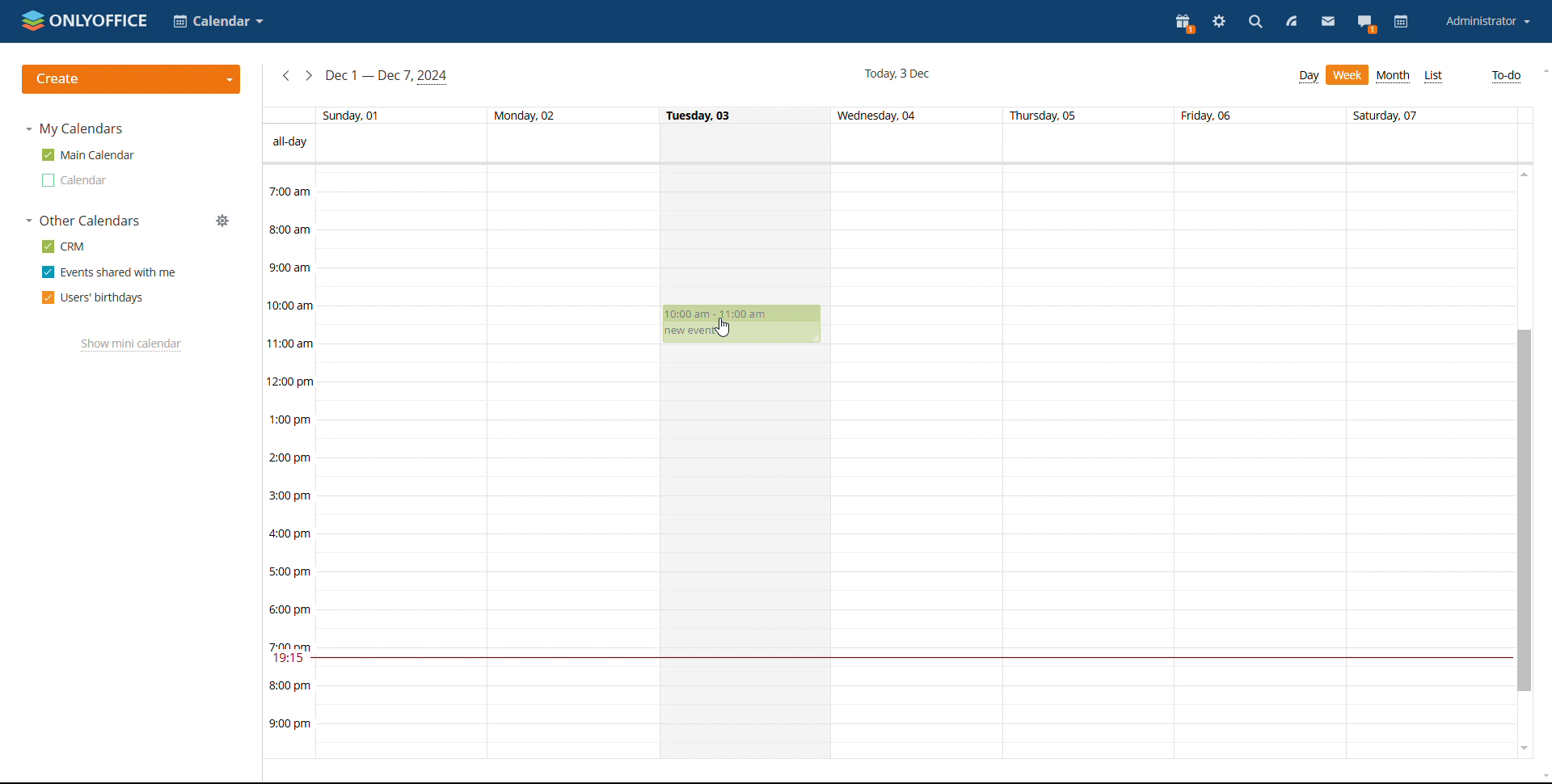  What do you see at coordinates (291, 459) in the screenshot?
I see `2:00pm` at bounding box center [291, 459].